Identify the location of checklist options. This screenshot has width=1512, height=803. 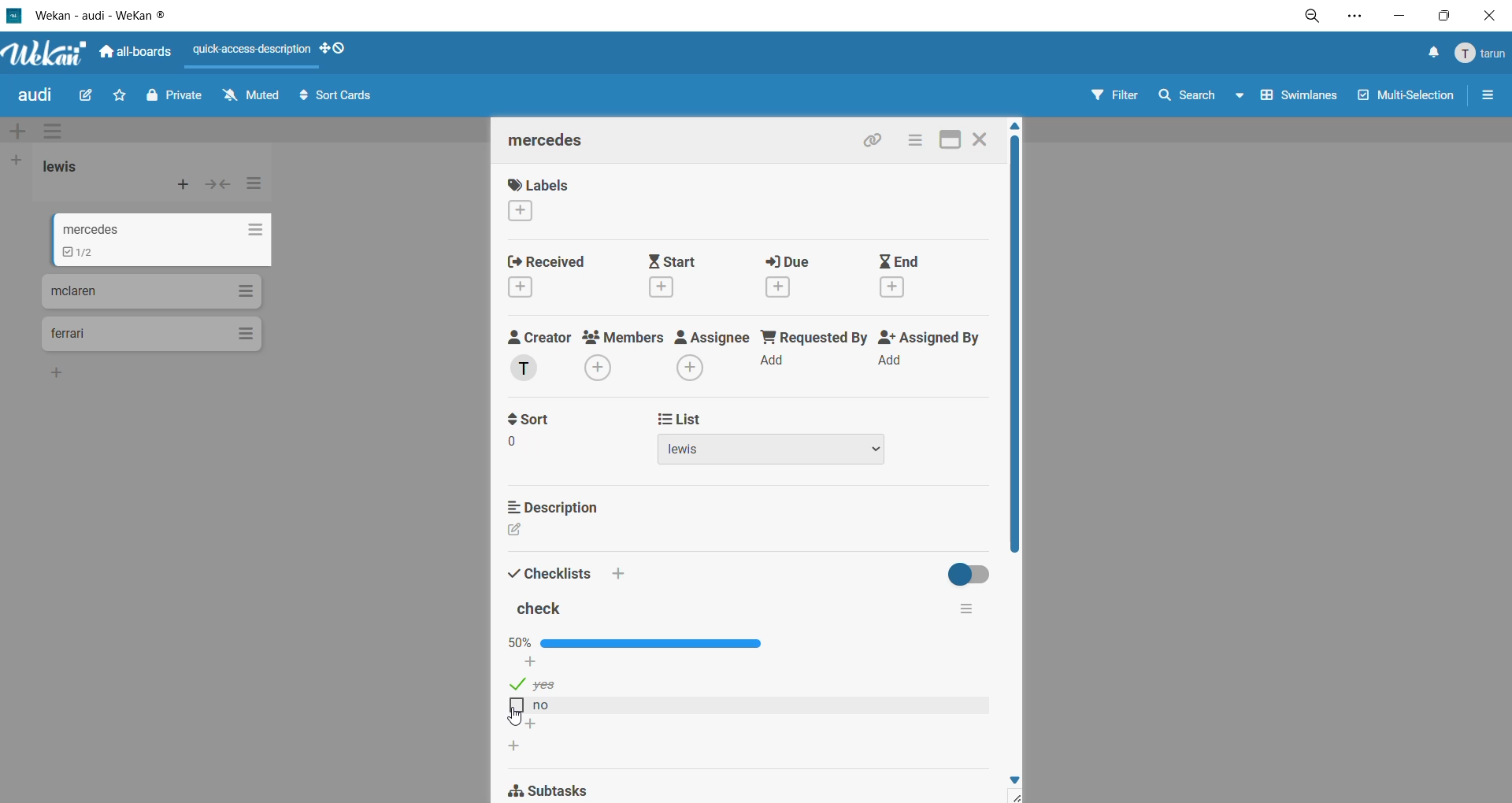
(967, 609).